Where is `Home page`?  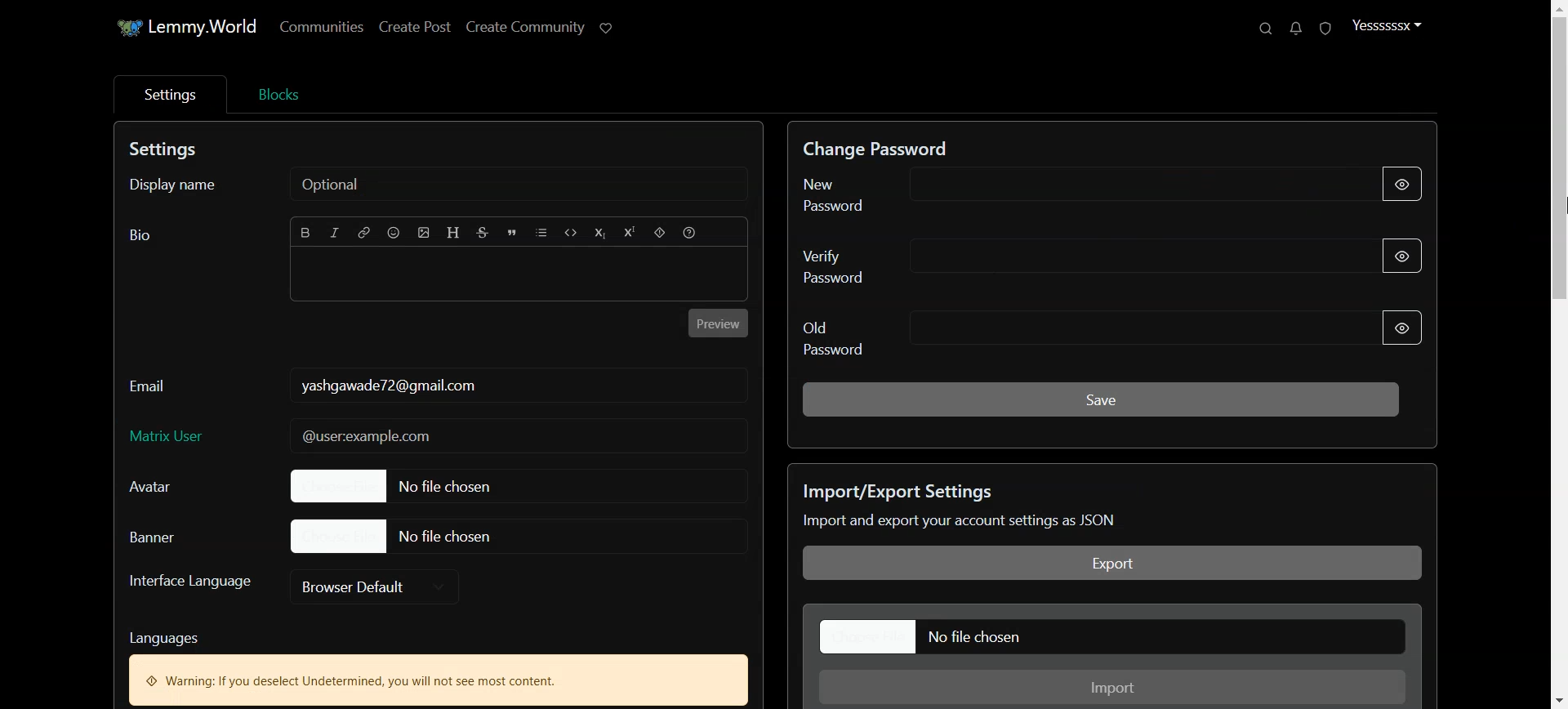 Home page is located at coordinates (185, 28).